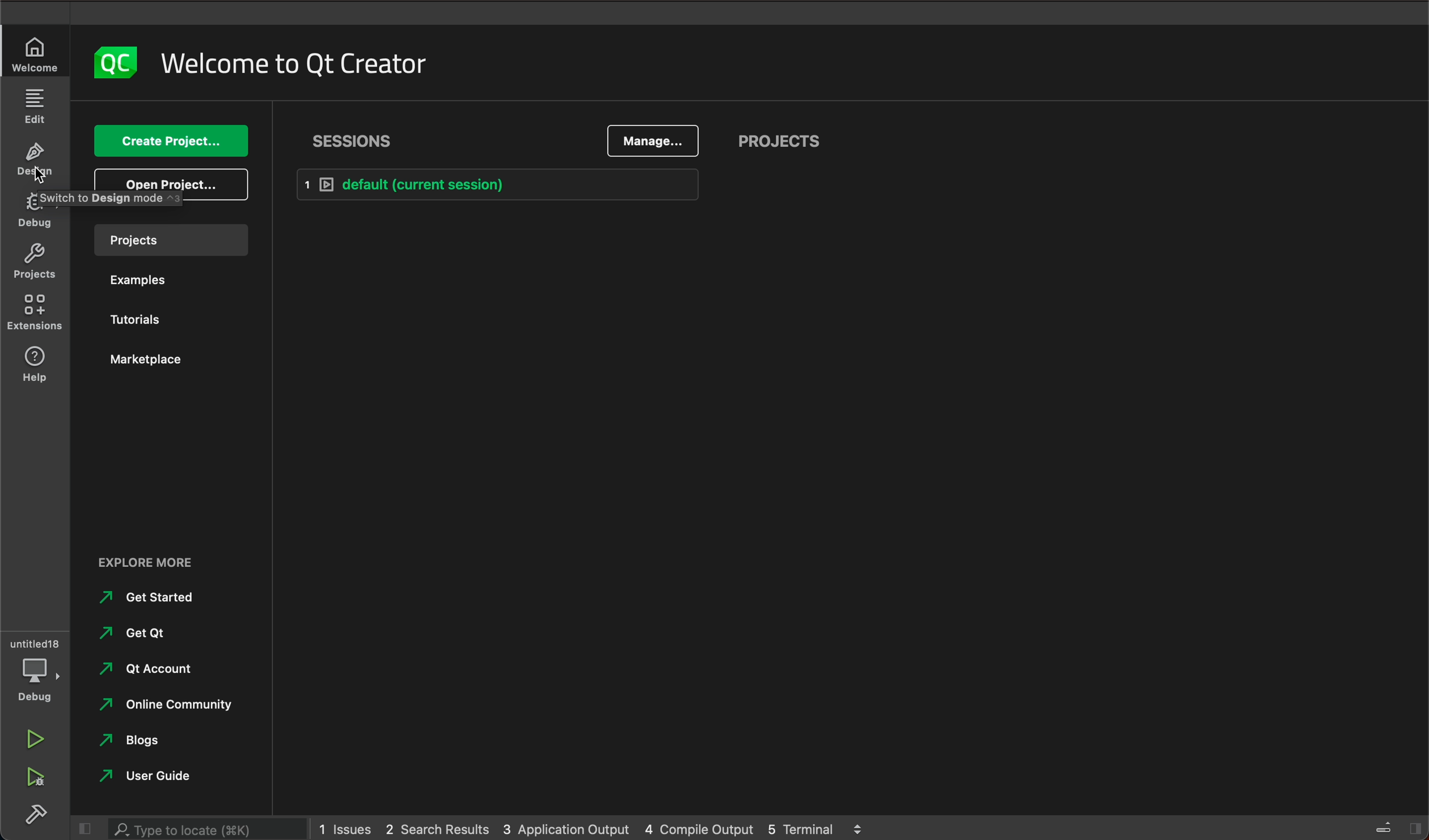  What do you see at coordinates (34, 214) in the screenshot?
I see `debug` at bounding box center [34, 214].